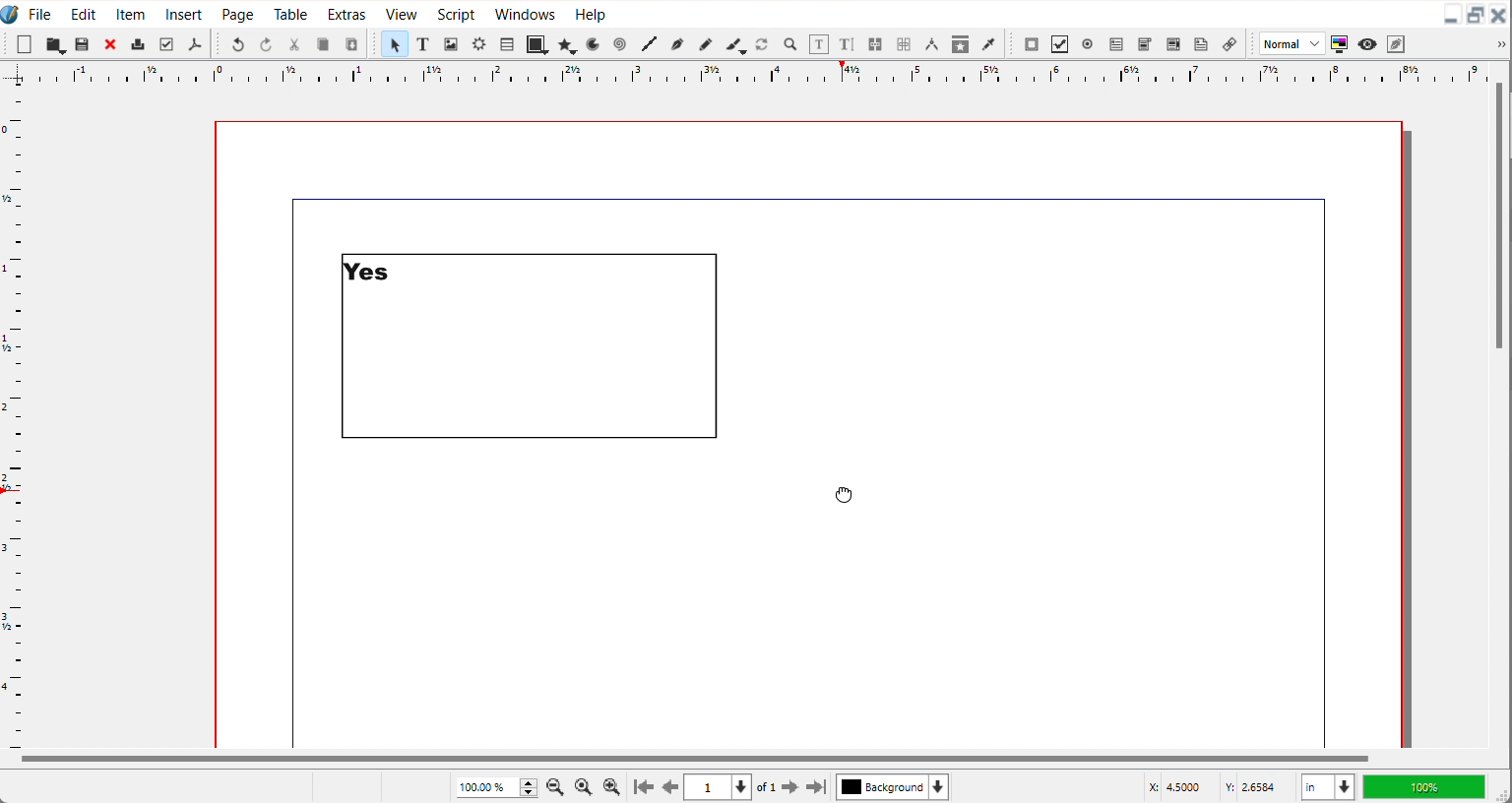 The width and height of the screenshot is (1512, 803). Describe the element at coordinates (876, 45) in the screenshot. I see `Link text frame` at that location.